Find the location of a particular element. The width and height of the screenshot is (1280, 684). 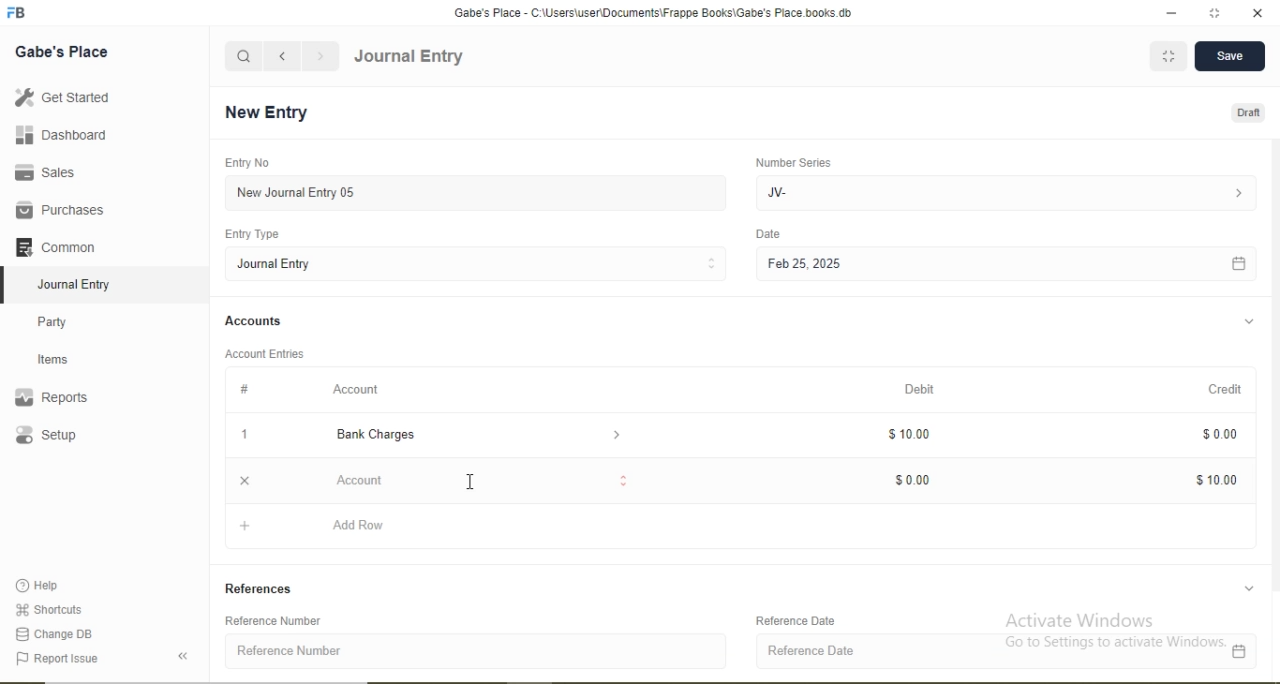

Setup is located at coordinates (75, 437).